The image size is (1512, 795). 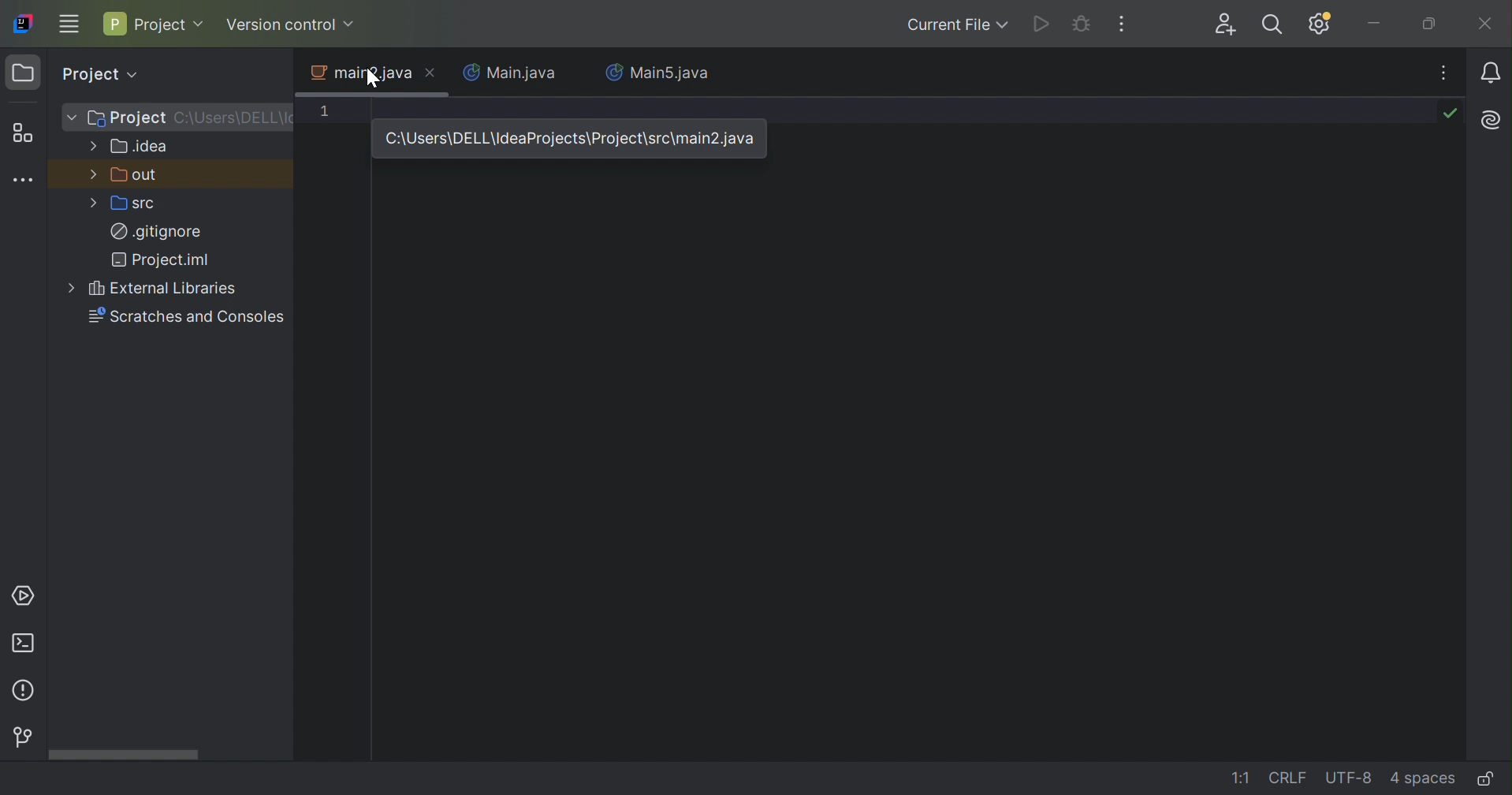 I want to click on Notifications, so click(x=1492, y=75).